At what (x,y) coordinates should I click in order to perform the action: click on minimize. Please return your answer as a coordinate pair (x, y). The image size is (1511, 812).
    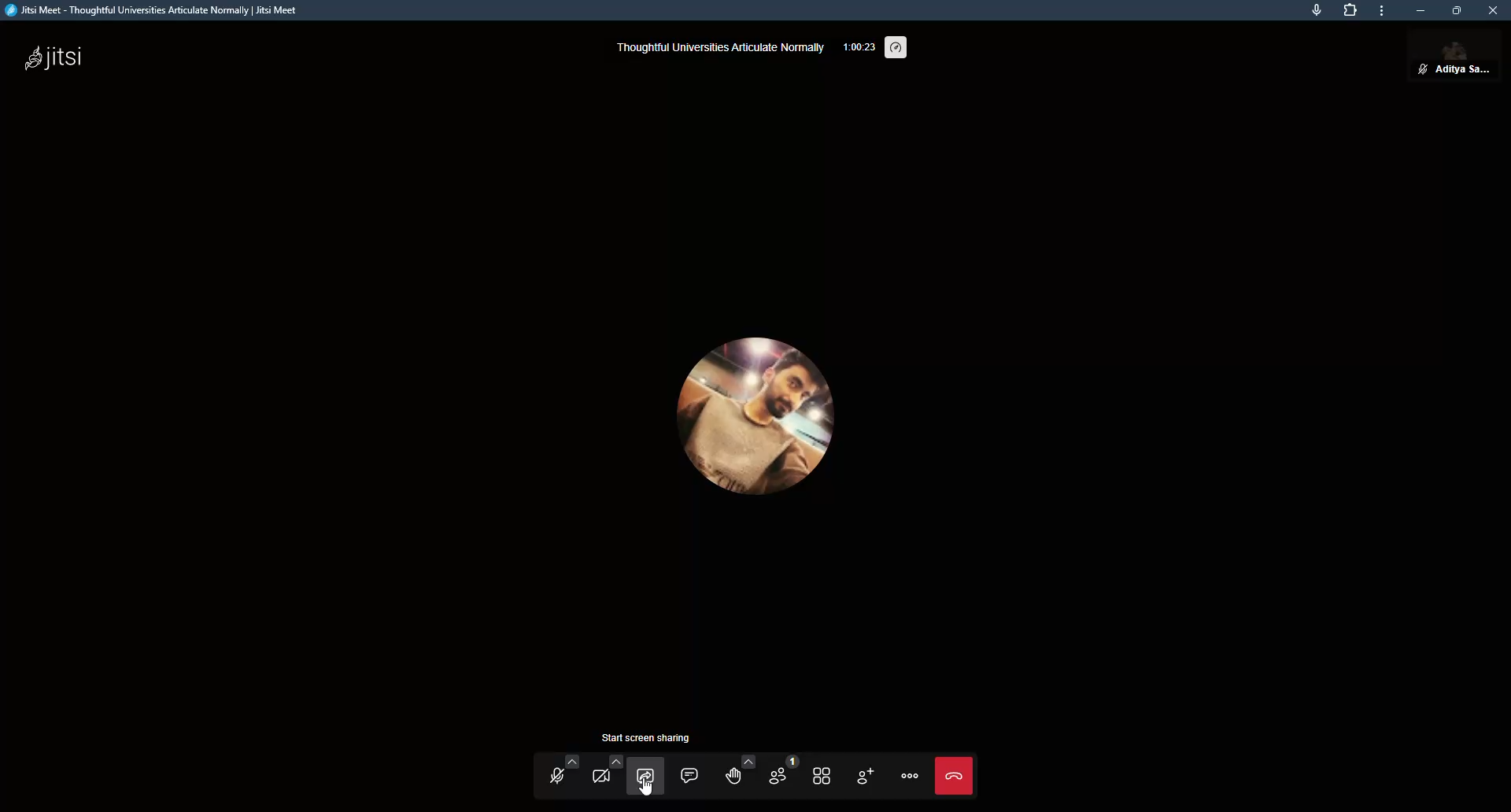
    Looking at the image, I should click on (1415, 10).